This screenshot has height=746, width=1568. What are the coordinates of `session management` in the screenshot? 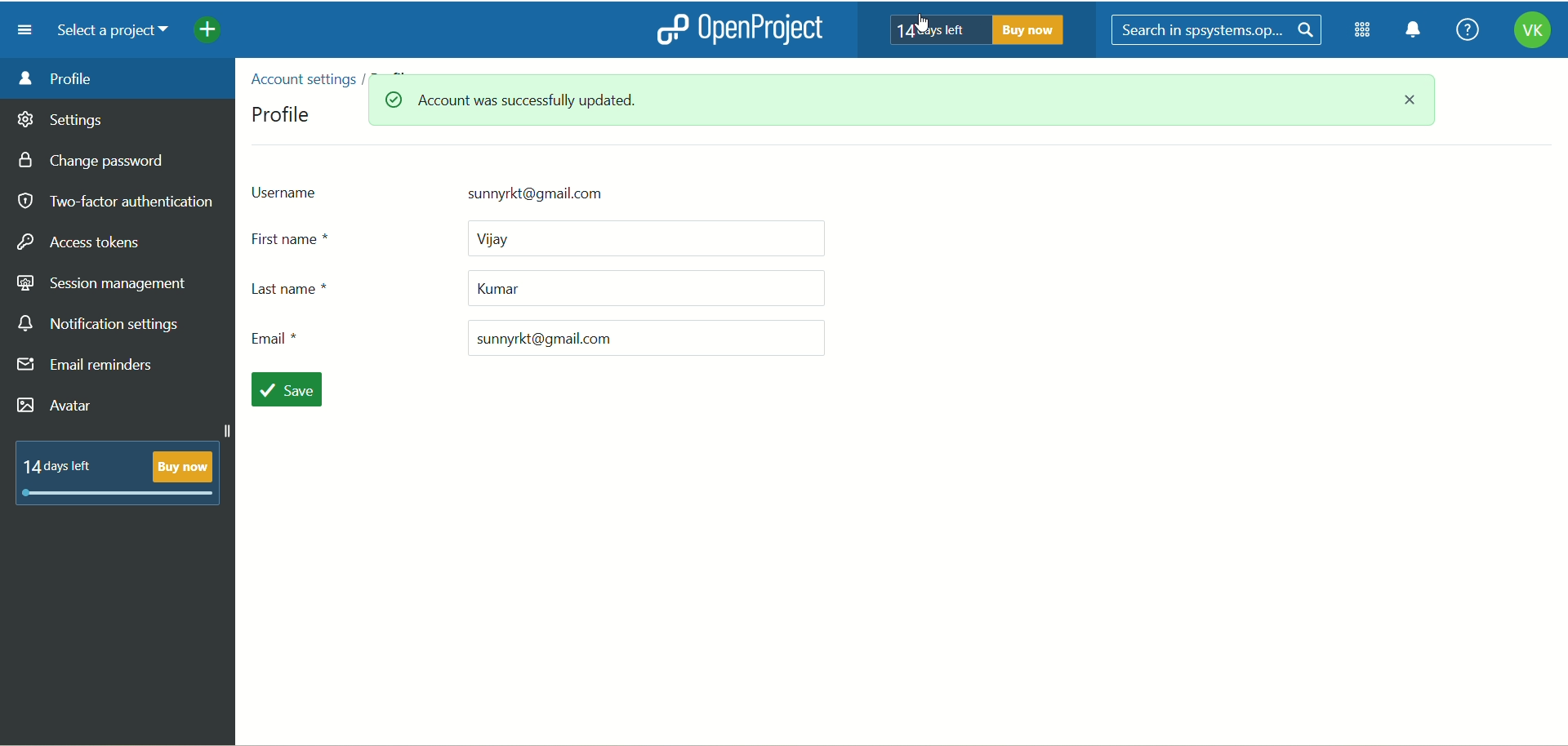 It's located at (102, 285).